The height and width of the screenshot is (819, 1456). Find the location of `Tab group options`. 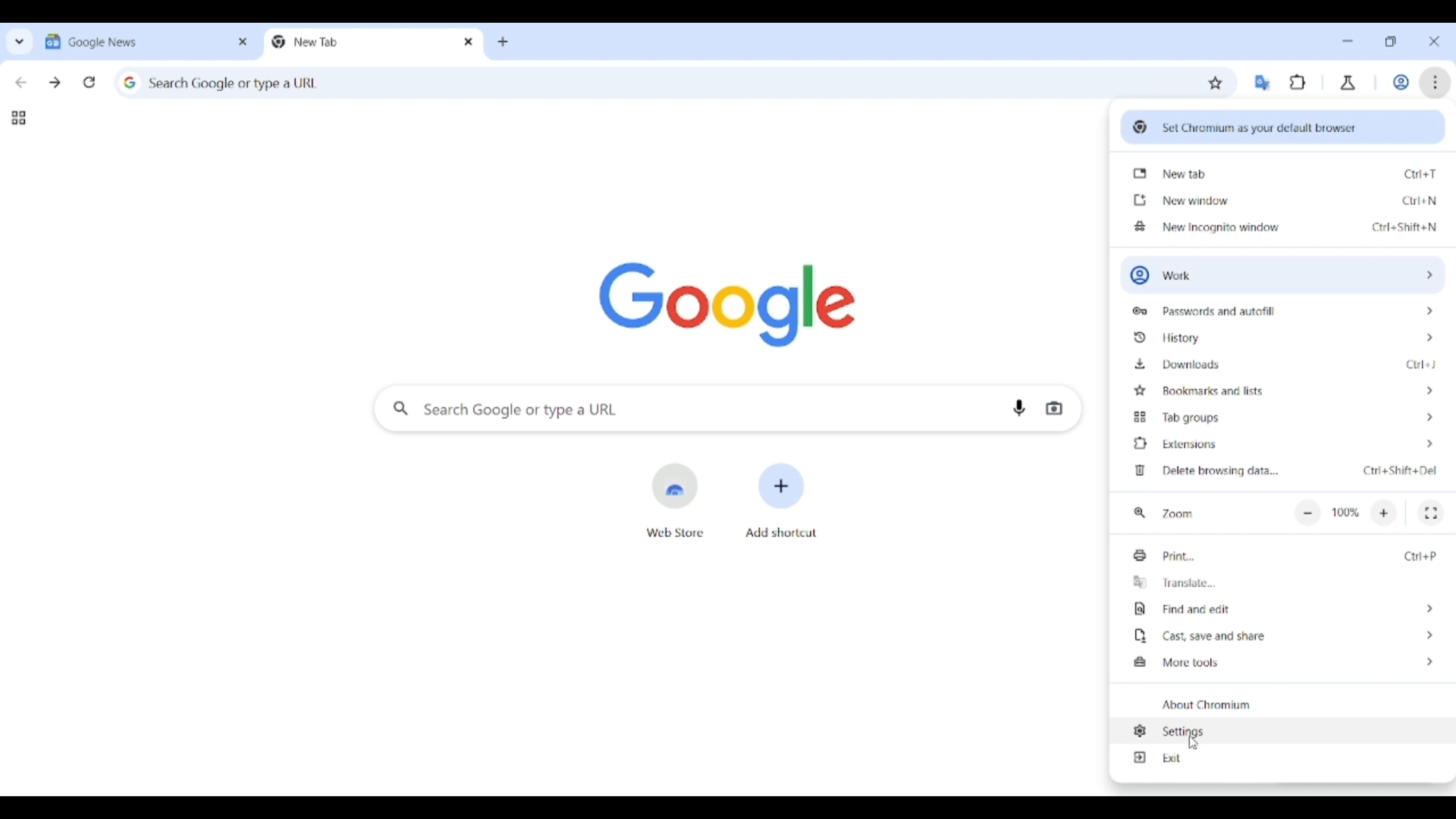

Tab group options is located at coordinates (1285, 416).